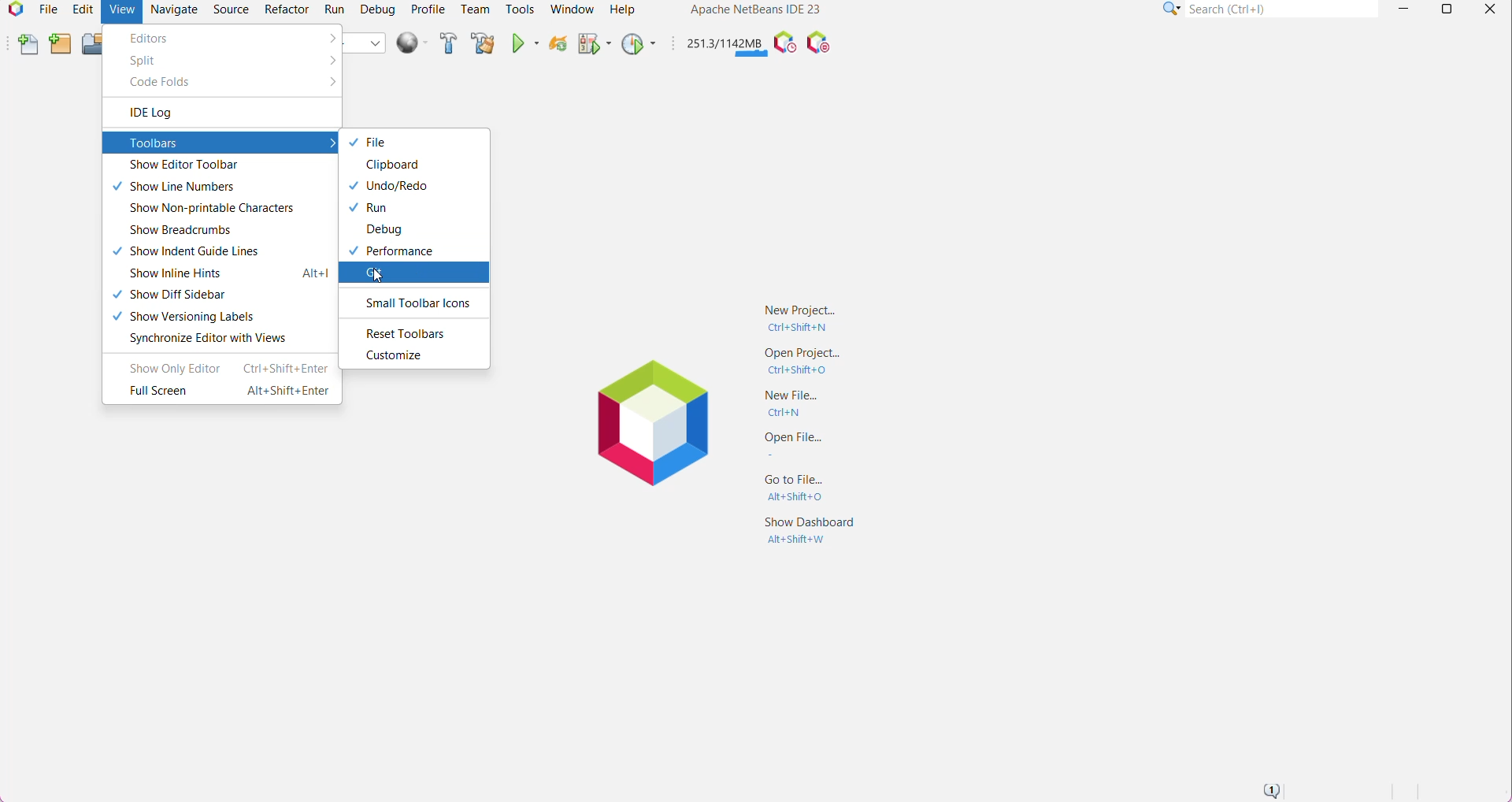 Image resolution: width=1512 pixels, height=802 pixels. What do you see at coordinates (1444, 9) in the screenshot?
I see `Restore Down` at bounding box center [1444, 9].